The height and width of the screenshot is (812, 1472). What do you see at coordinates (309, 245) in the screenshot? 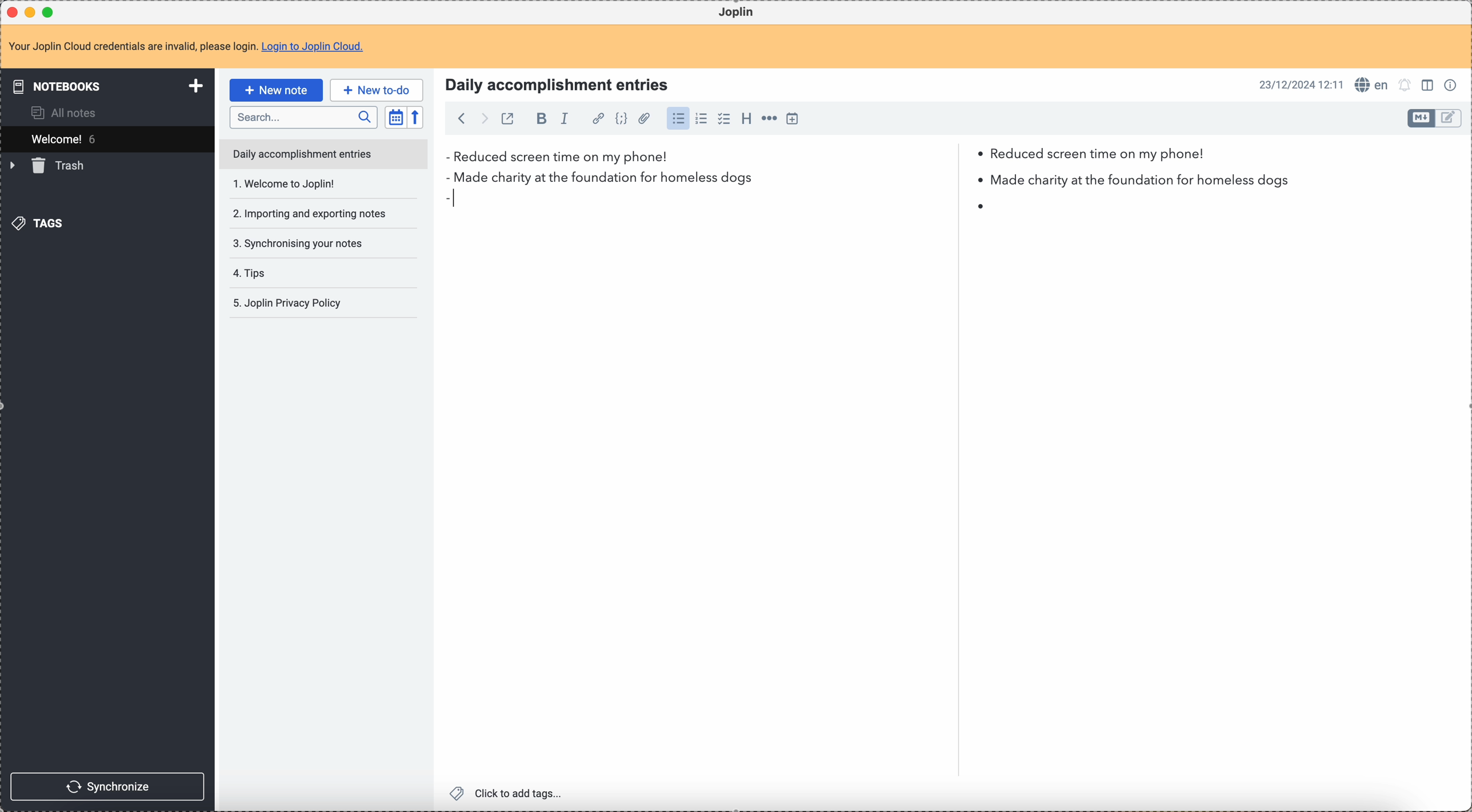
I see `tips` at bounding box center [309, 245].